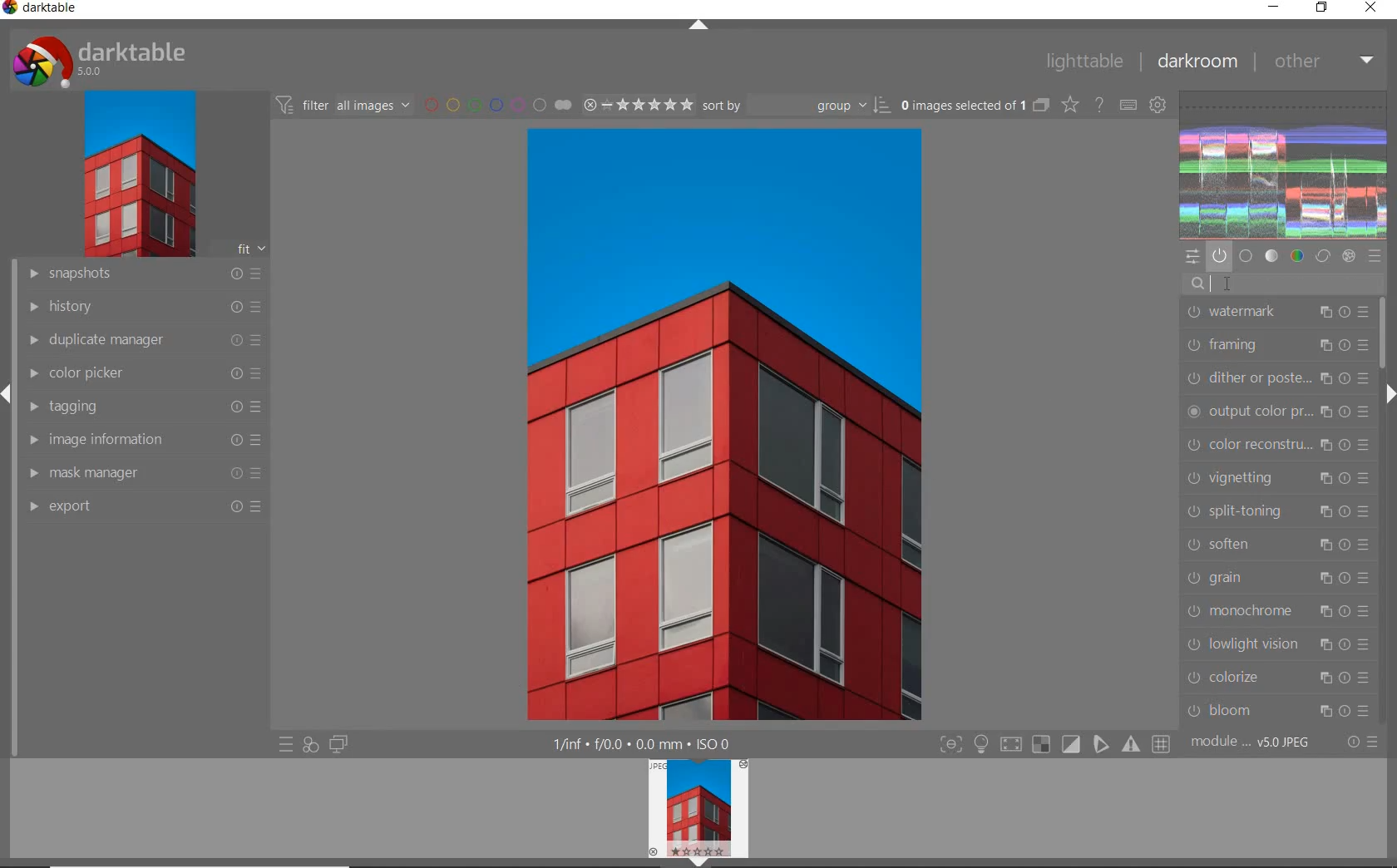 The height and width of the screenshot is (868, 1397). I want to click on split toning, so click(1279, 510).